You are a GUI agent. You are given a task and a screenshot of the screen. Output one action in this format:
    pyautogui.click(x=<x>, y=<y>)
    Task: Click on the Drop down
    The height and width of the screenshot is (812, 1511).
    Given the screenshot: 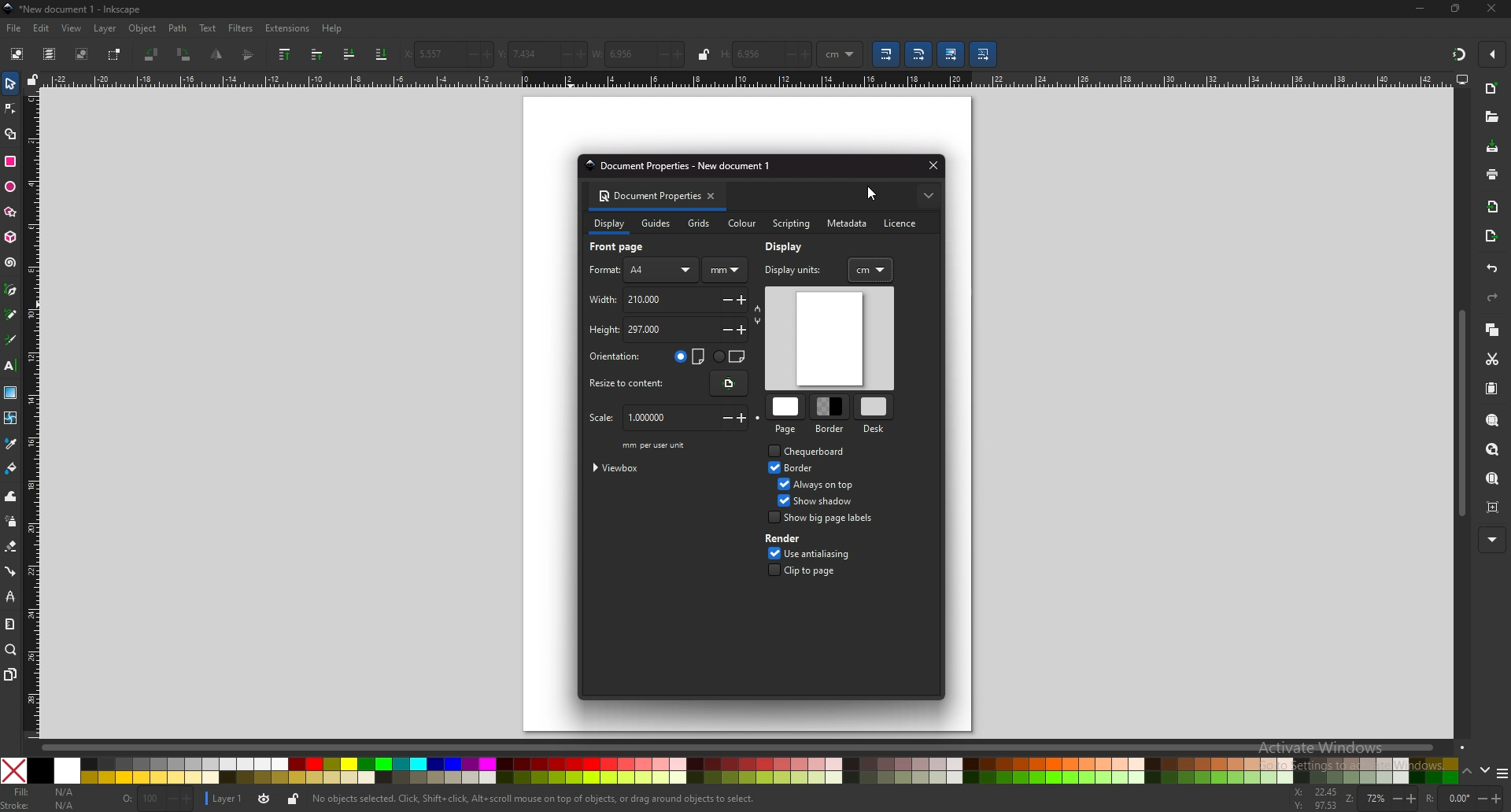 What is the action you would take?
    pyautogui.click(x=853, y=54)
    